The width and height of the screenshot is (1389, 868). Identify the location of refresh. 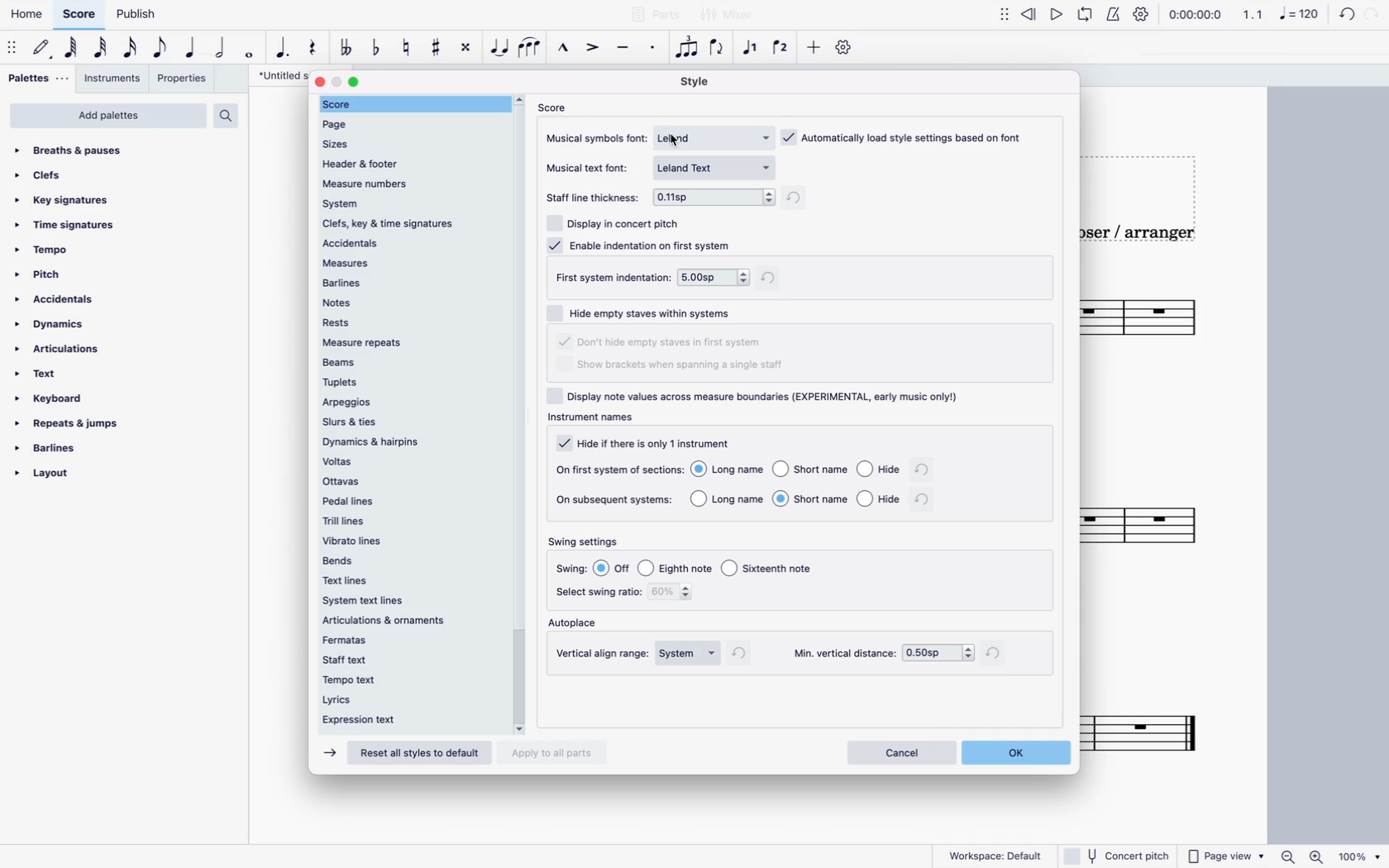
(924, 500).